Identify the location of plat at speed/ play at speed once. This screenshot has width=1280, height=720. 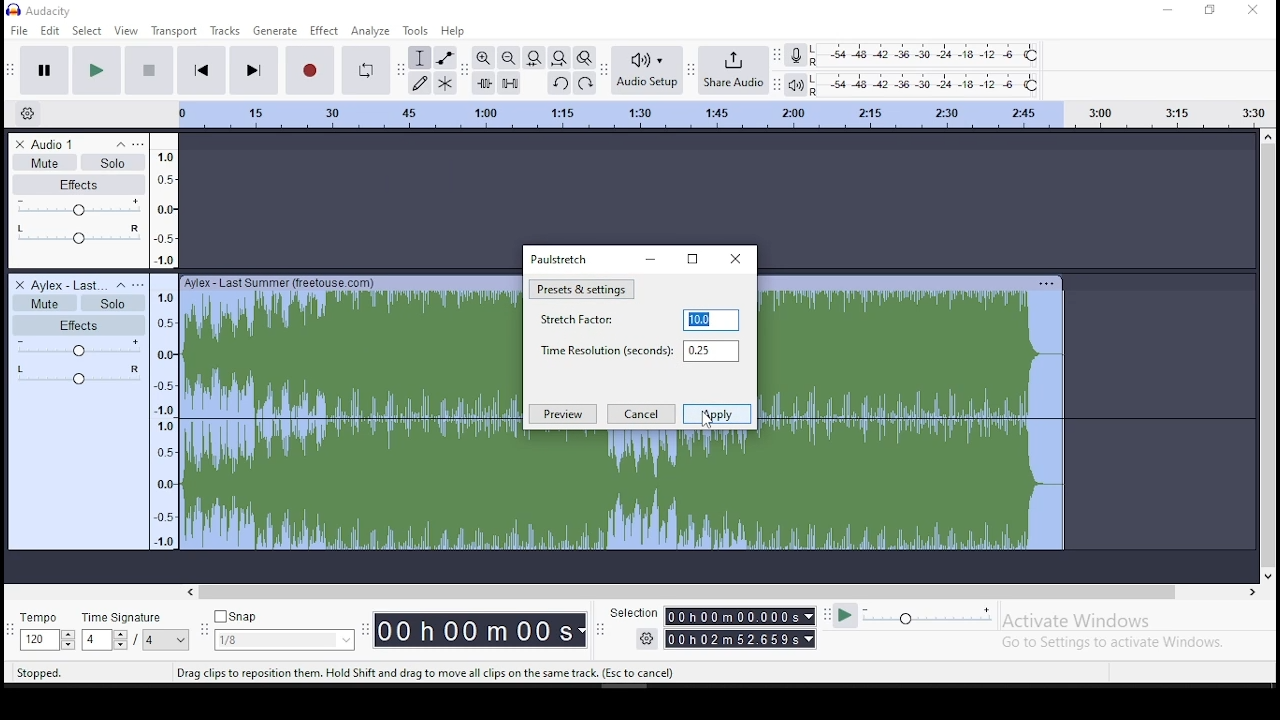
(913, 617).